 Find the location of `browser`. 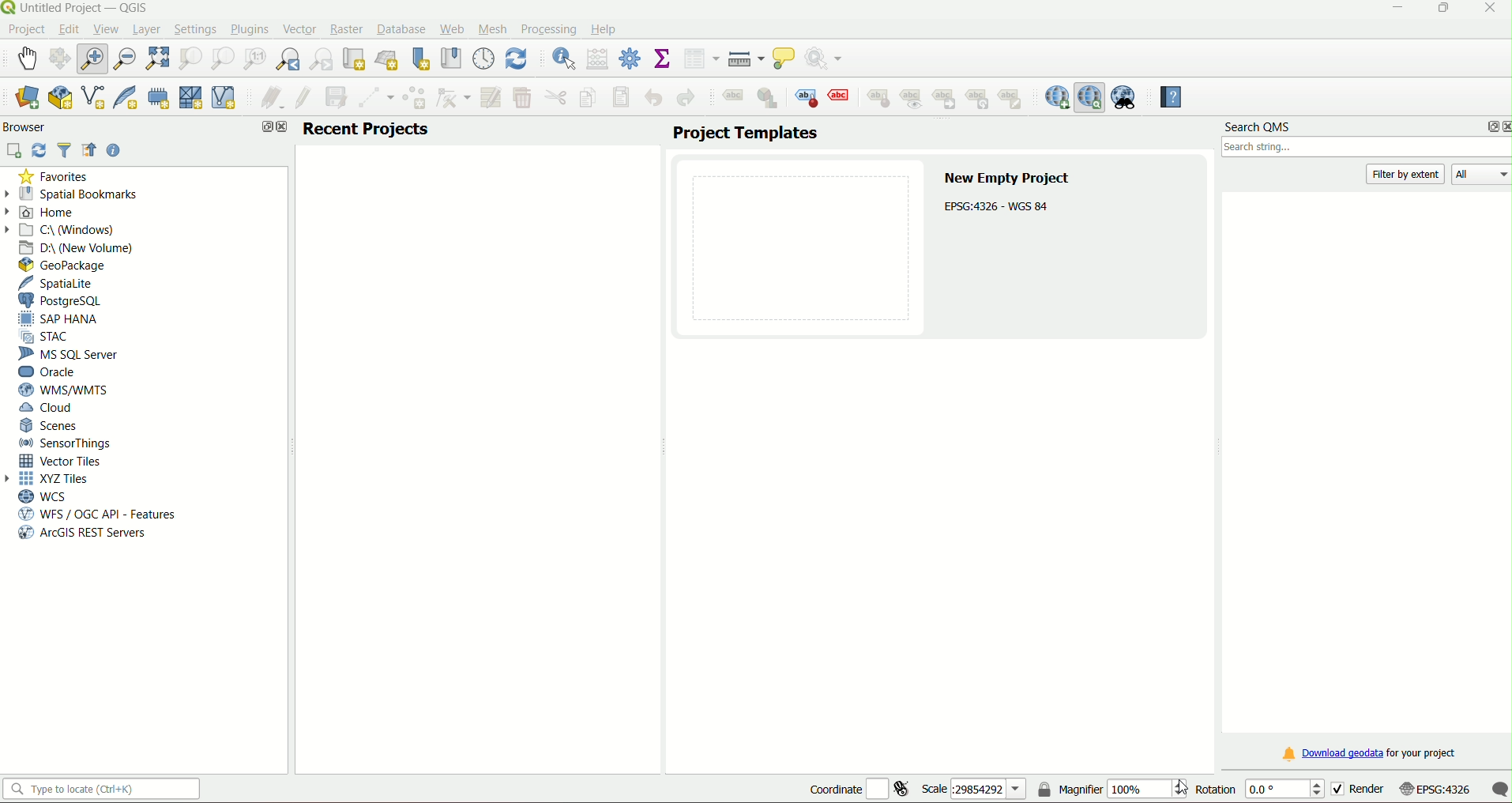

browser is located at coordinates (28, 126).